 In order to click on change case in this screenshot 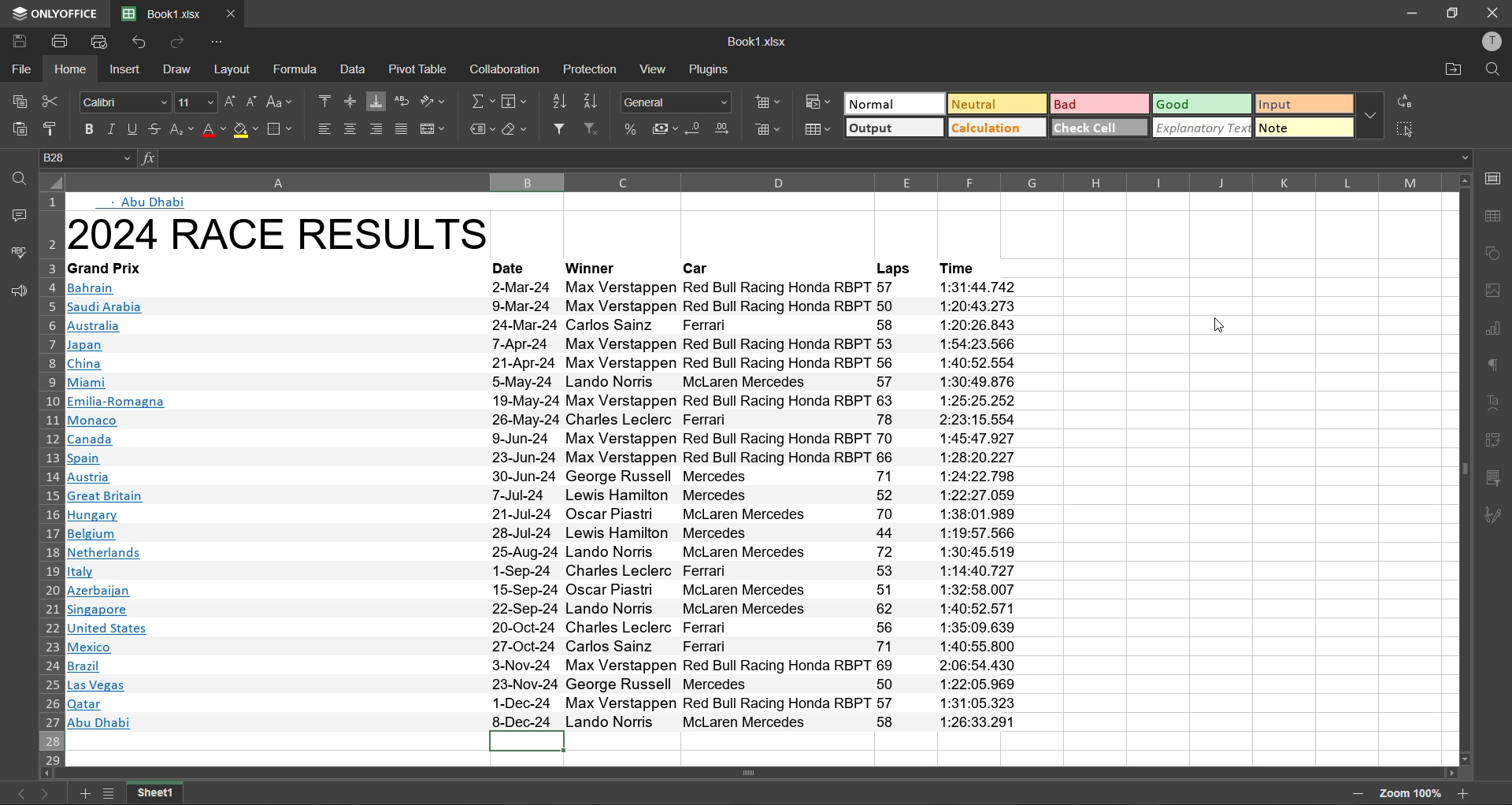, I will do `click(280, 103)`.